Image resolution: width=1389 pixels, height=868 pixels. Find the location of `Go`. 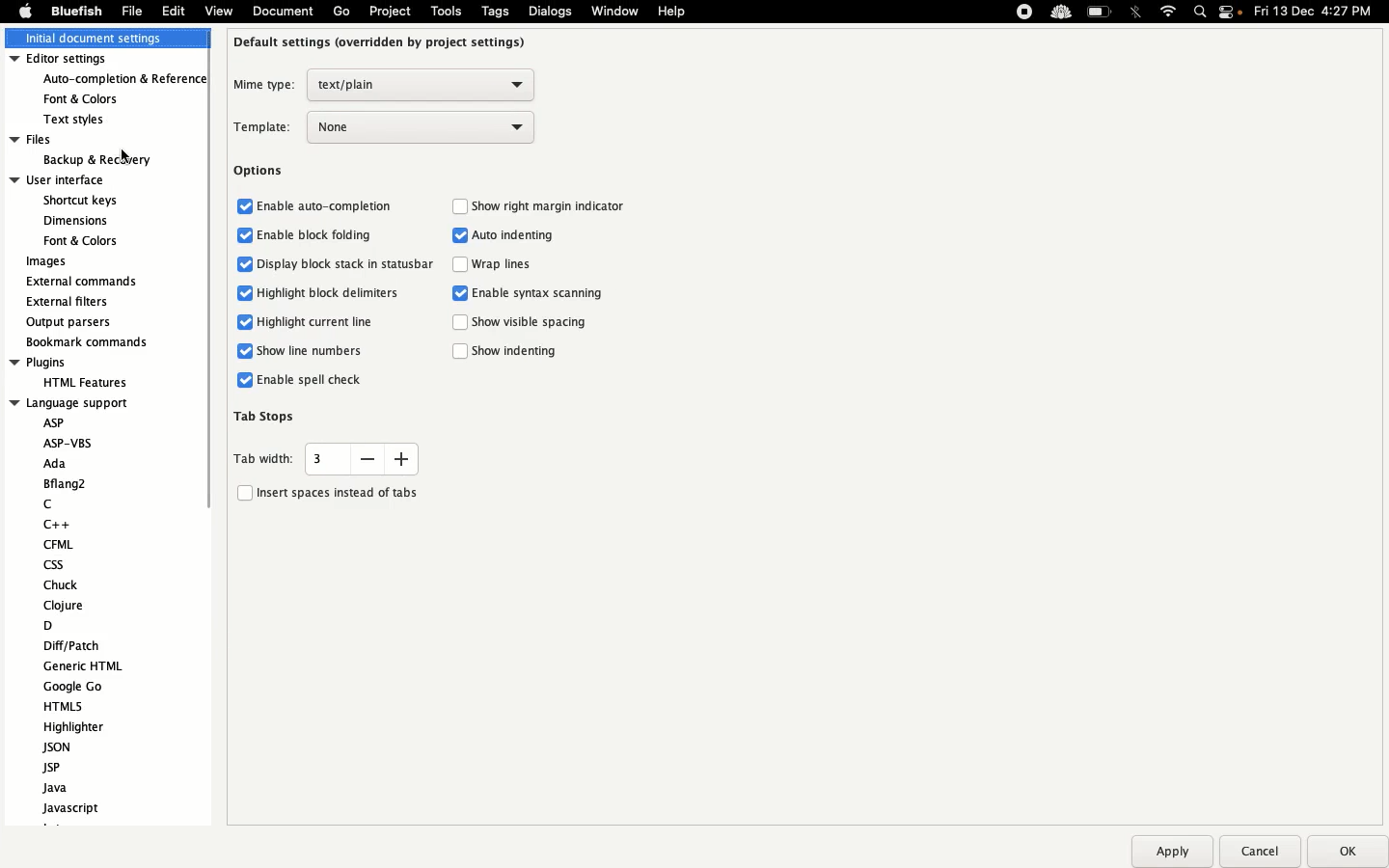

Go is located at coordinates (342, 12).